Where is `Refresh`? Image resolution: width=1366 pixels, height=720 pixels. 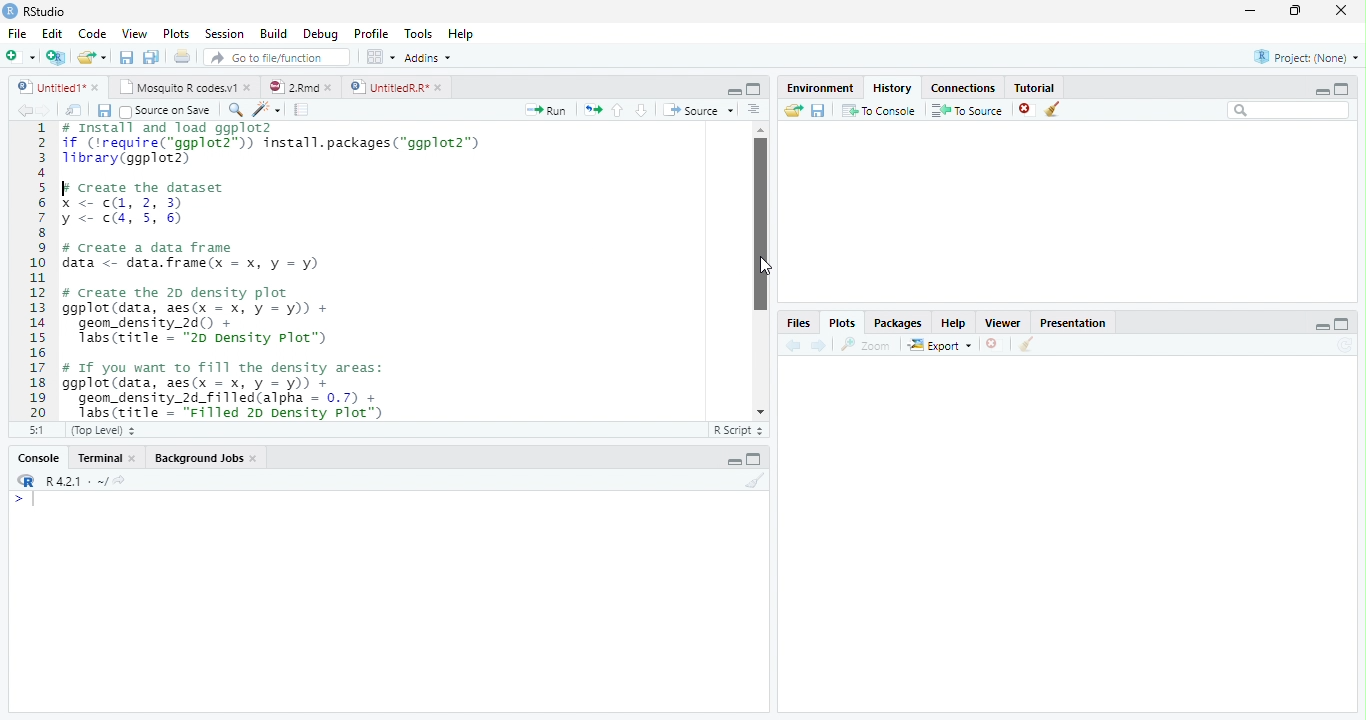 Refresh is located at coordinates (1348, 345).